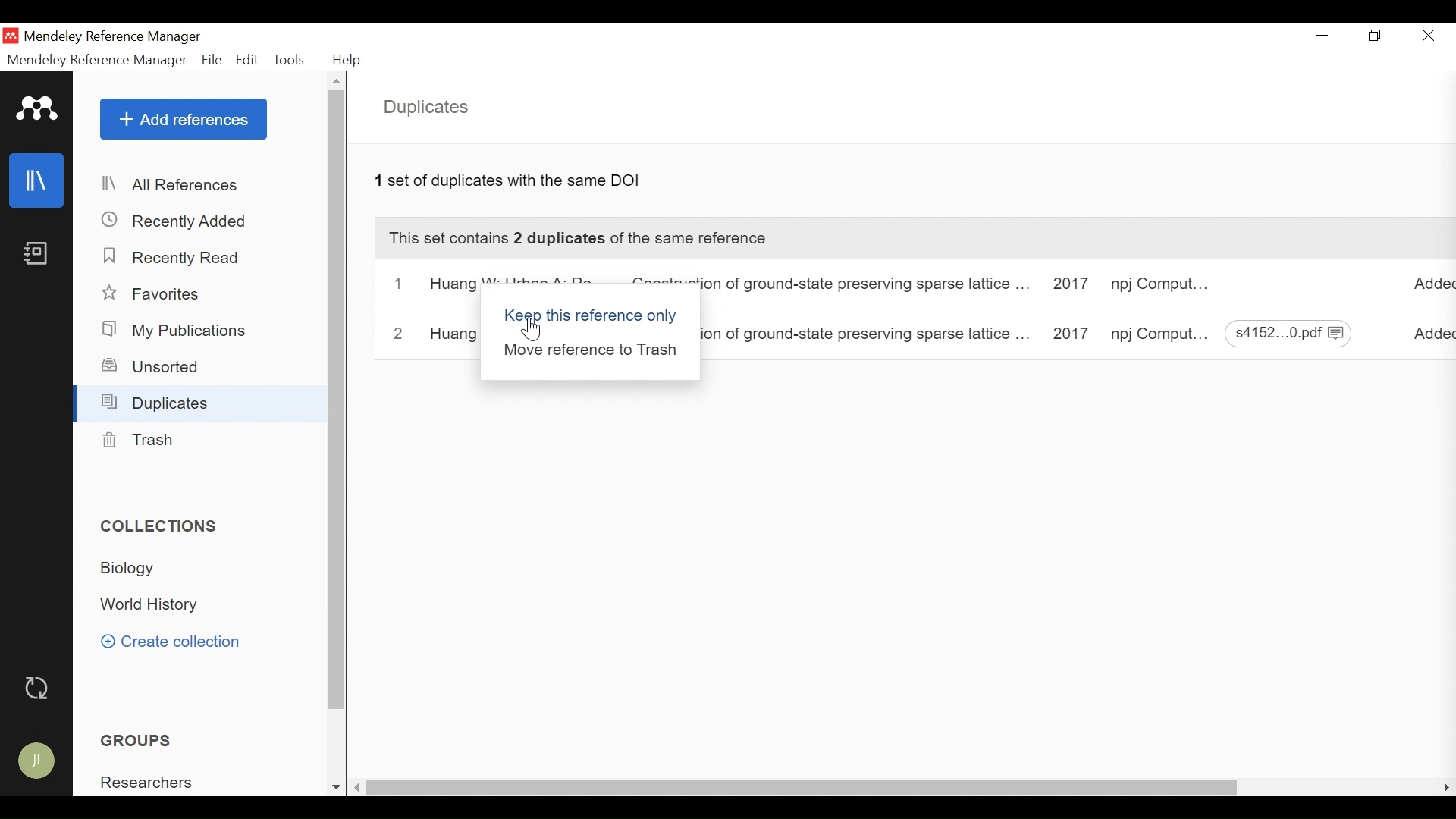  I want to click on Collections, so click(162, 528).